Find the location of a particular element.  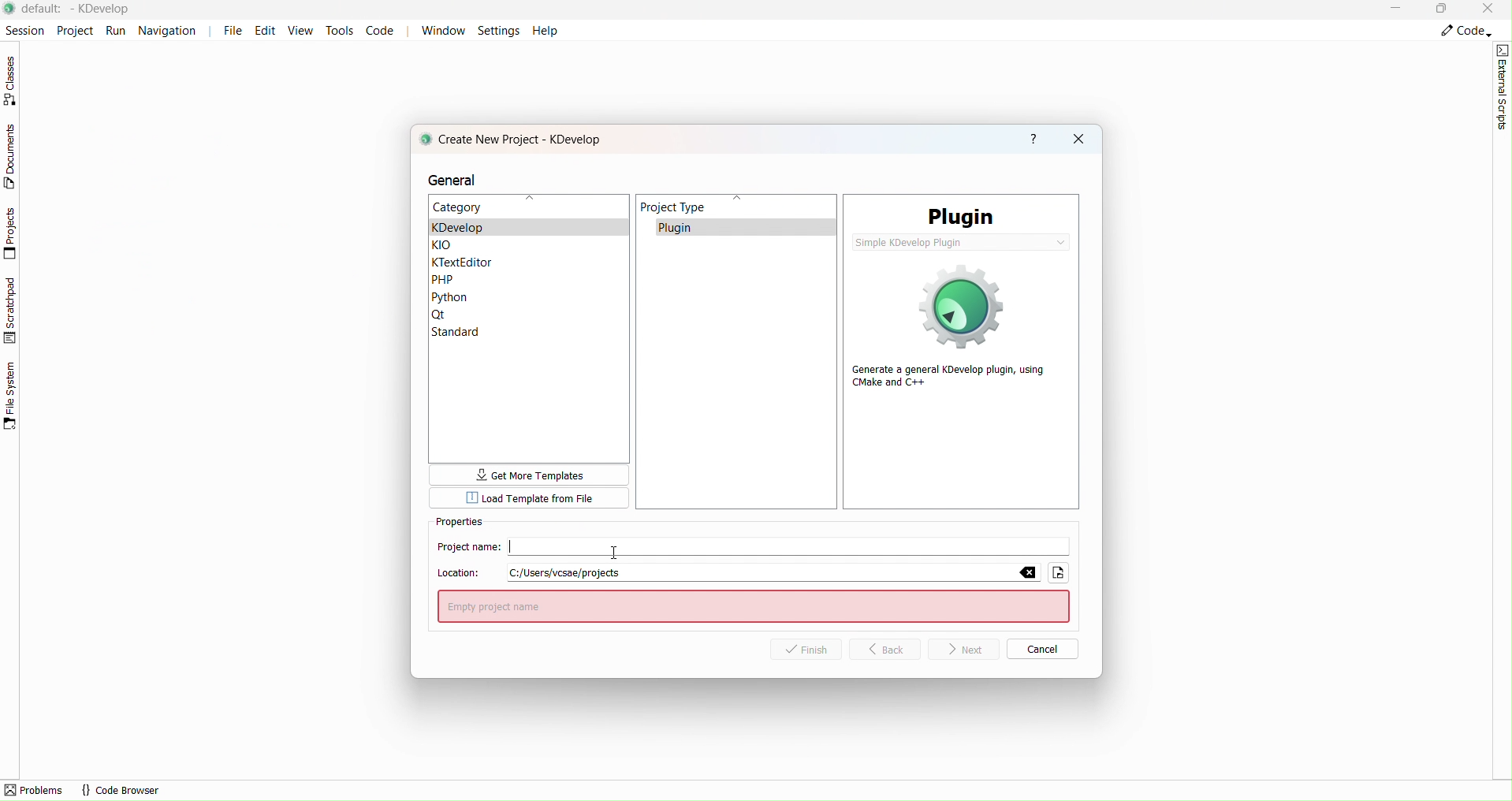

Location is located at coordinates (754, 573).